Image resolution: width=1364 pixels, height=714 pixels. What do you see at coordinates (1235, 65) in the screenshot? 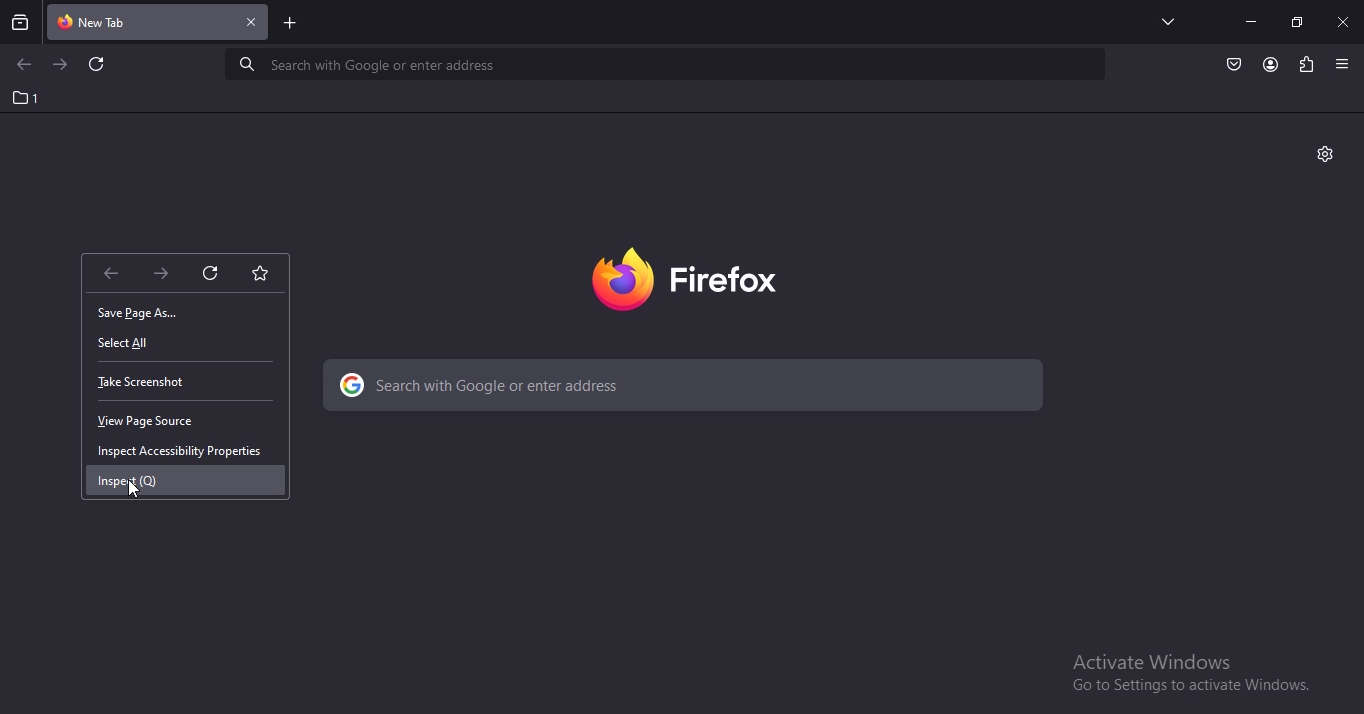
I see `save to pocket` at bounding box center [1235, 65].